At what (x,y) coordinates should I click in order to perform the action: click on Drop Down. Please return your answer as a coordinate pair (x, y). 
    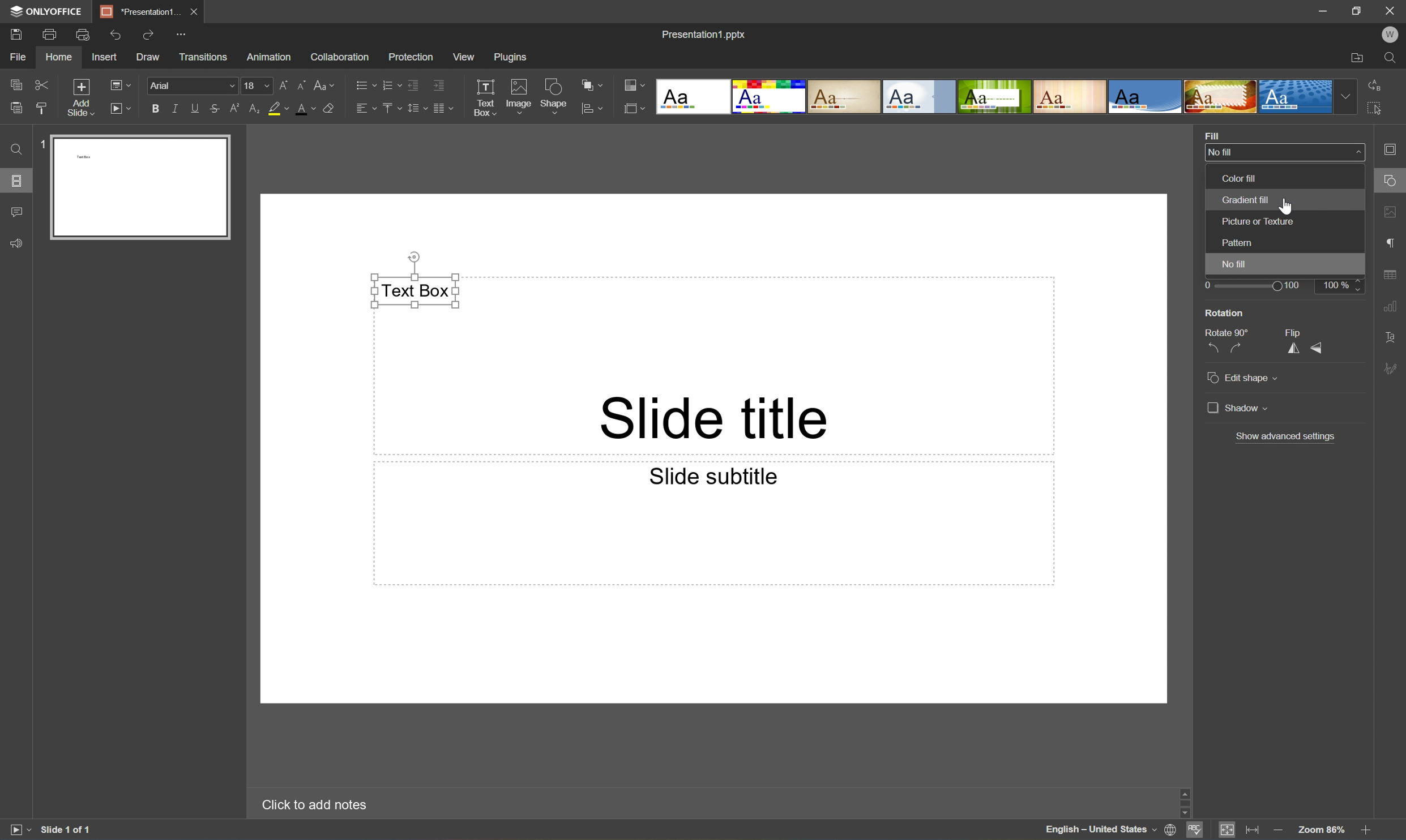
    Looking at the image, I should click on (1343, 96).